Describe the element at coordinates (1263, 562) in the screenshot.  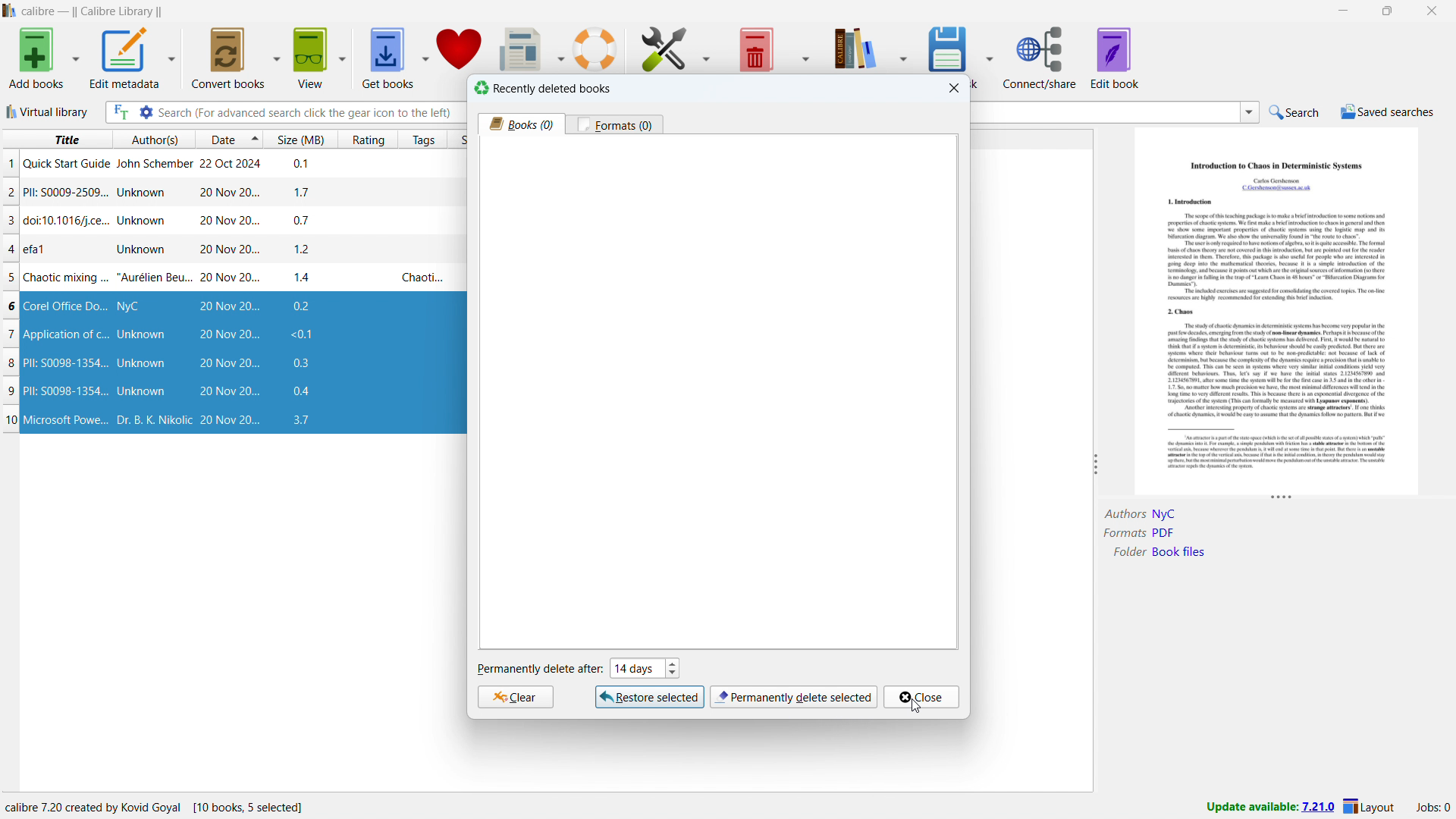
I see `book details` at that location.